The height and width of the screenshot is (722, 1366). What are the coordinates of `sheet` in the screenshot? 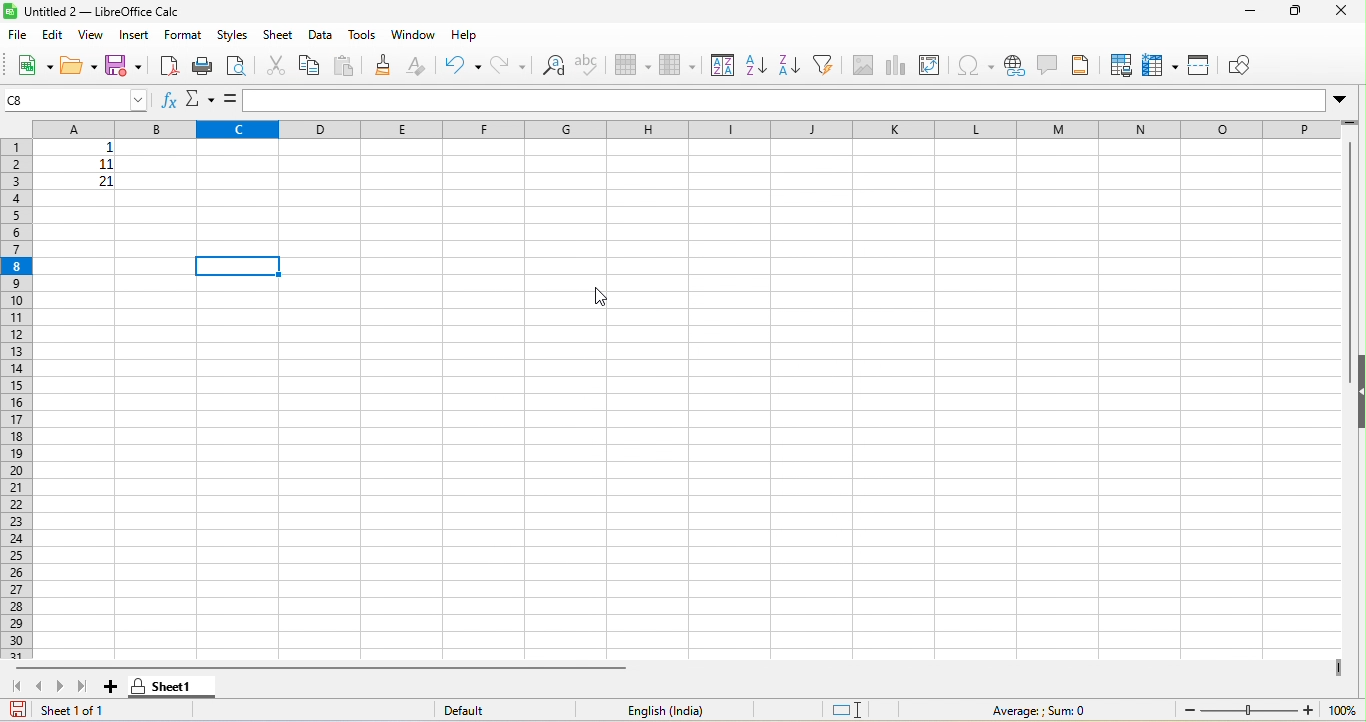 It's located at (280, 35).